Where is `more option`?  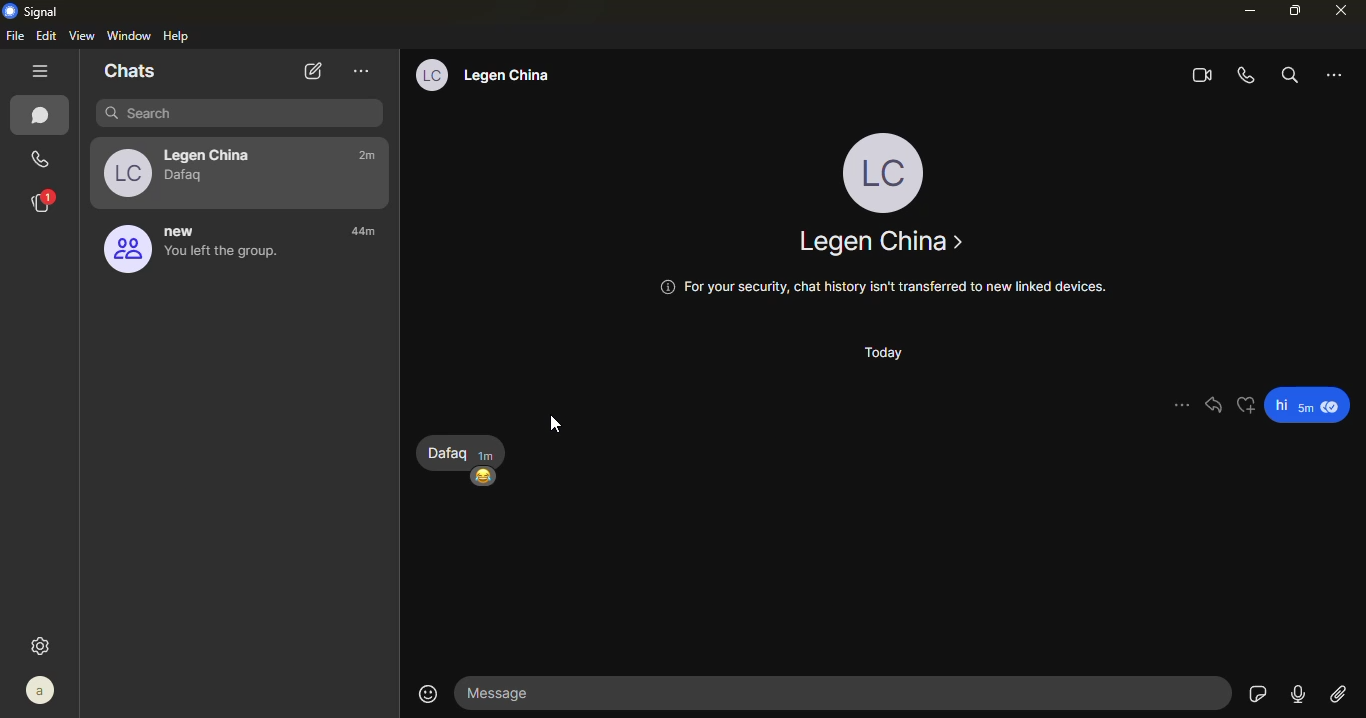
more option is located at coordinates (362, 70).